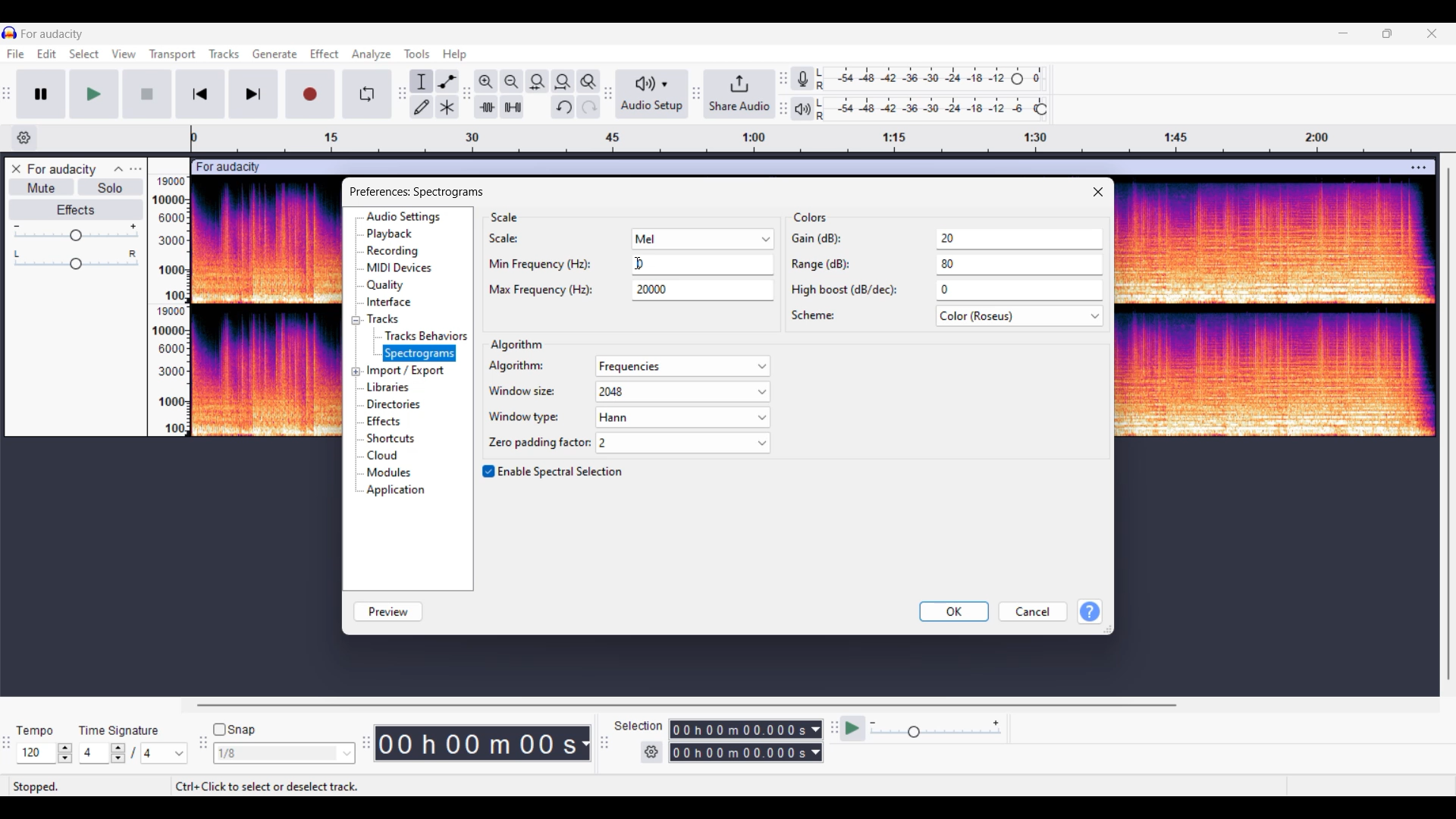 The width and height of the screenshot is (1456, 819). What do you see at coordinates (118, 169) in the screenshot?
I see `Collapse` at bounding box center [118, 169].